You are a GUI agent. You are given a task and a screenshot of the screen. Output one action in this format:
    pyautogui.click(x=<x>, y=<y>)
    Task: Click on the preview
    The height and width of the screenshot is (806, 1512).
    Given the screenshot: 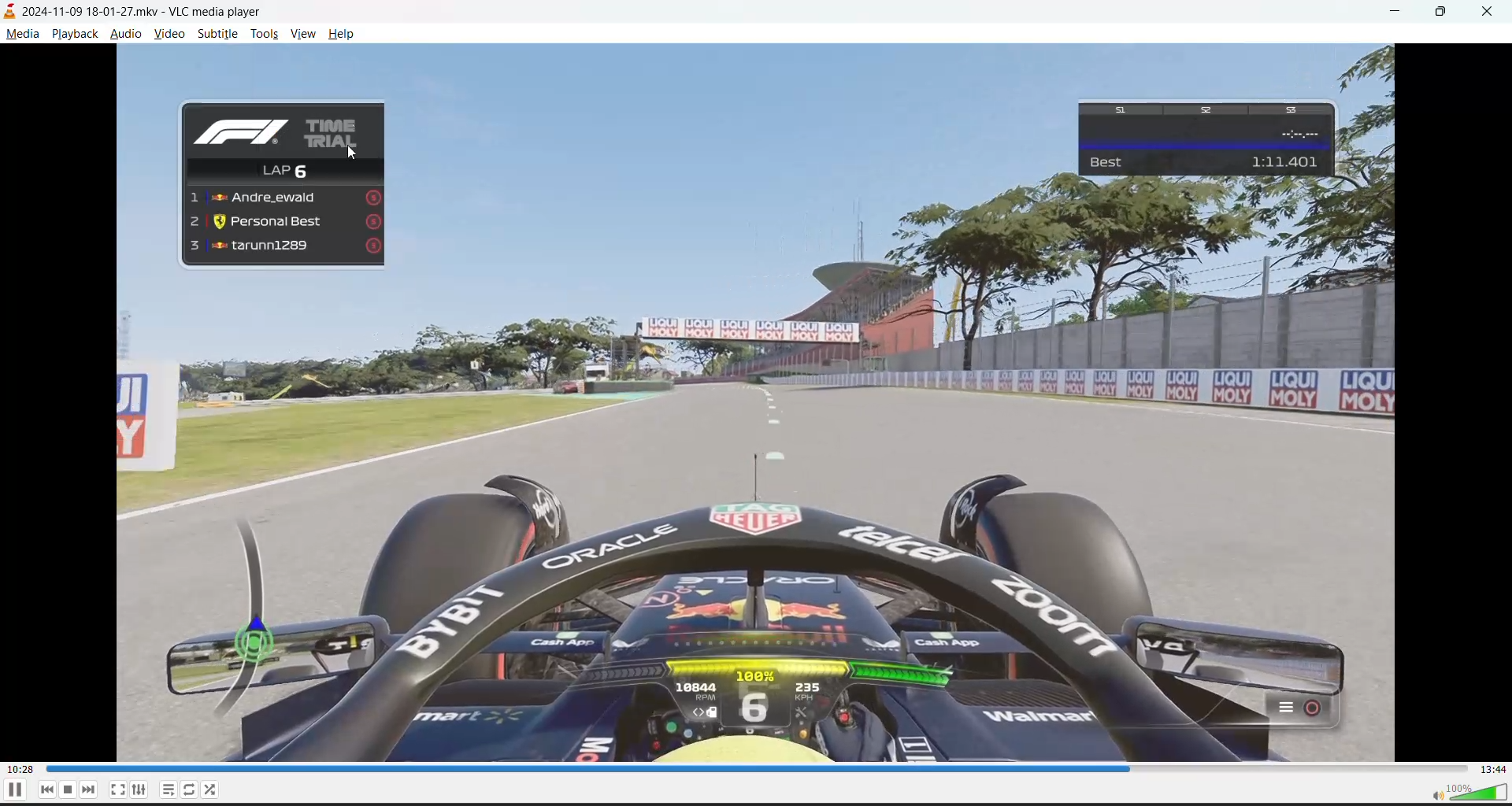 What is the action you would take?
    pyautogui.click(x=1371, y=187)
    